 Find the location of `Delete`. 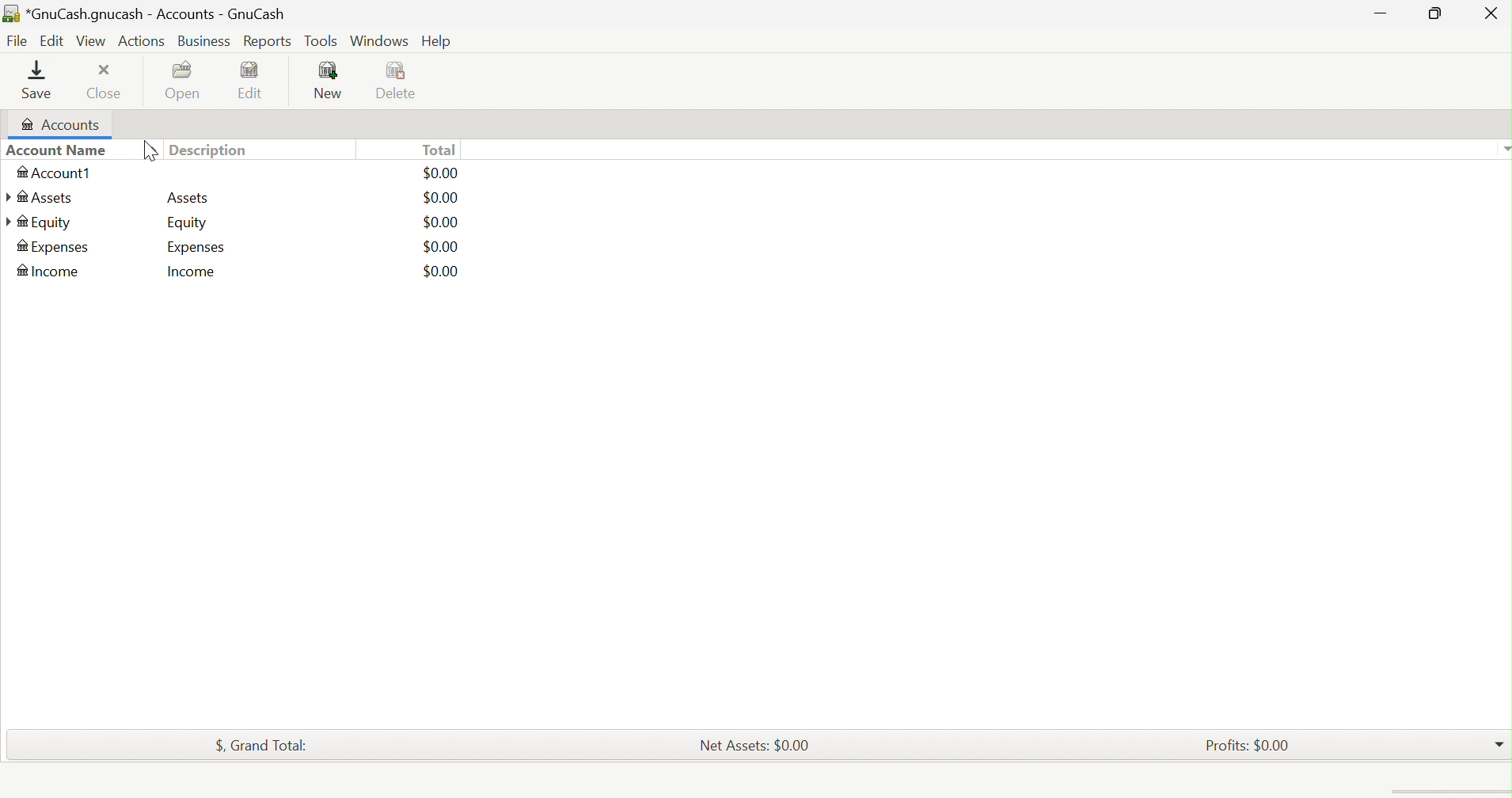

Delete is located at coordinates (401, 82).